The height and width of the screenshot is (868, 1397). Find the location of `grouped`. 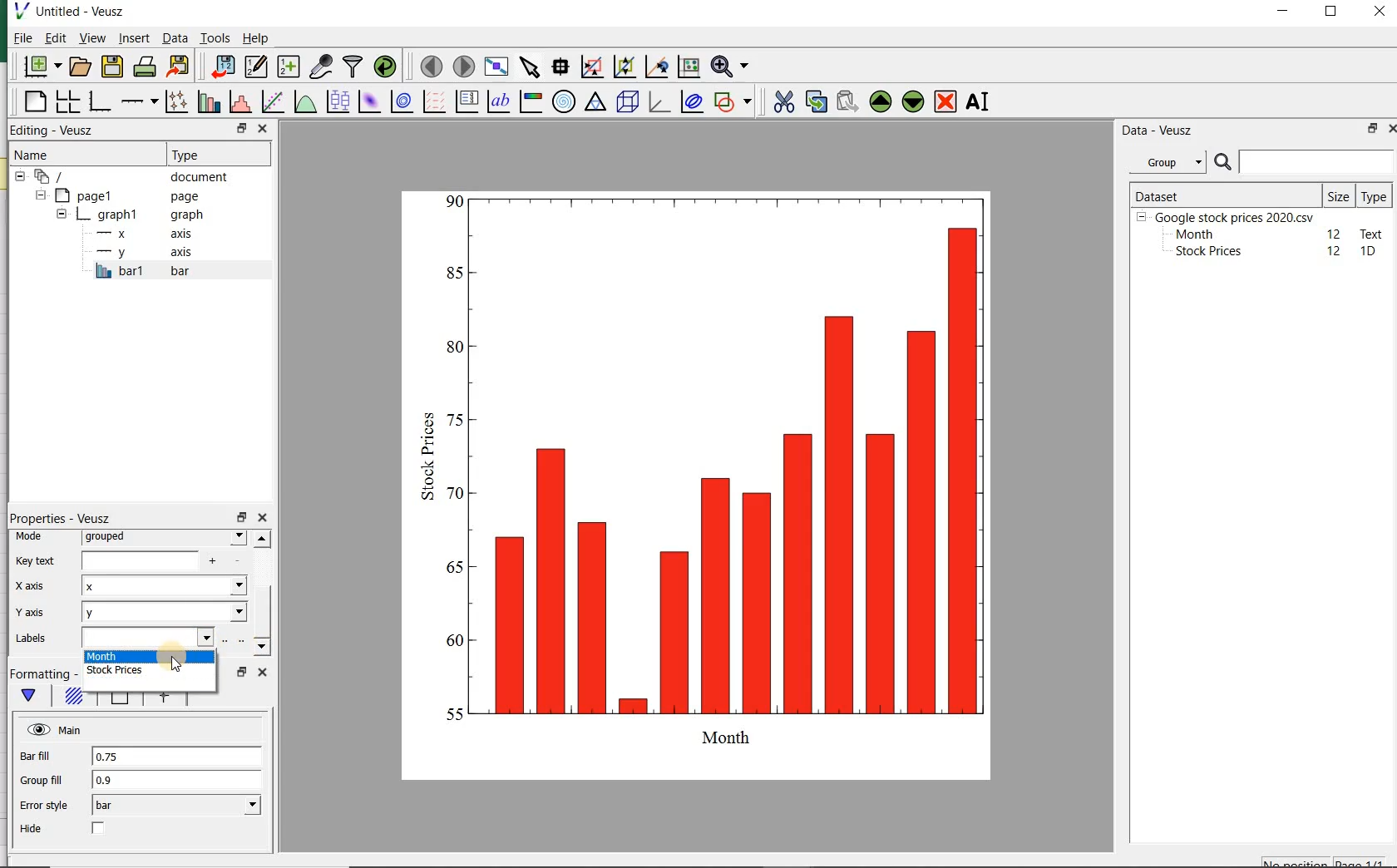

grouped is located at coordinates (163, 537).